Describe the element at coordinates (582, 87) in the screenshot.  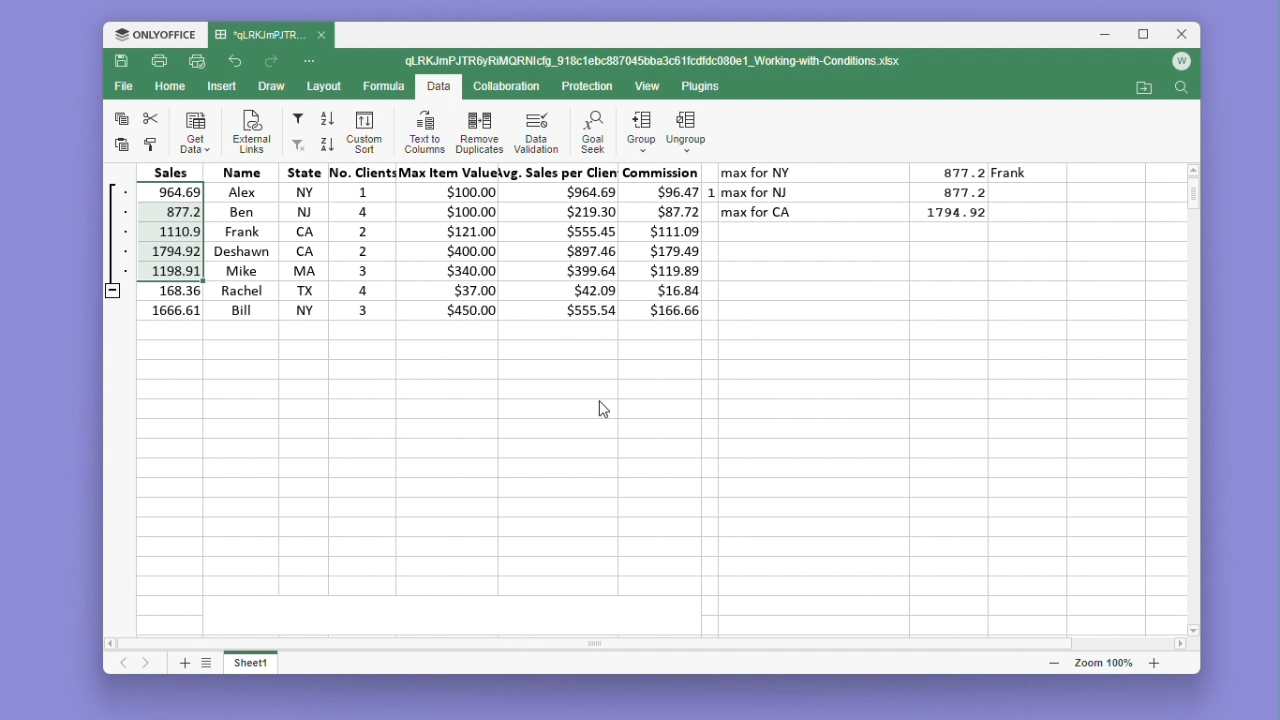
I see `Protection` at that location.